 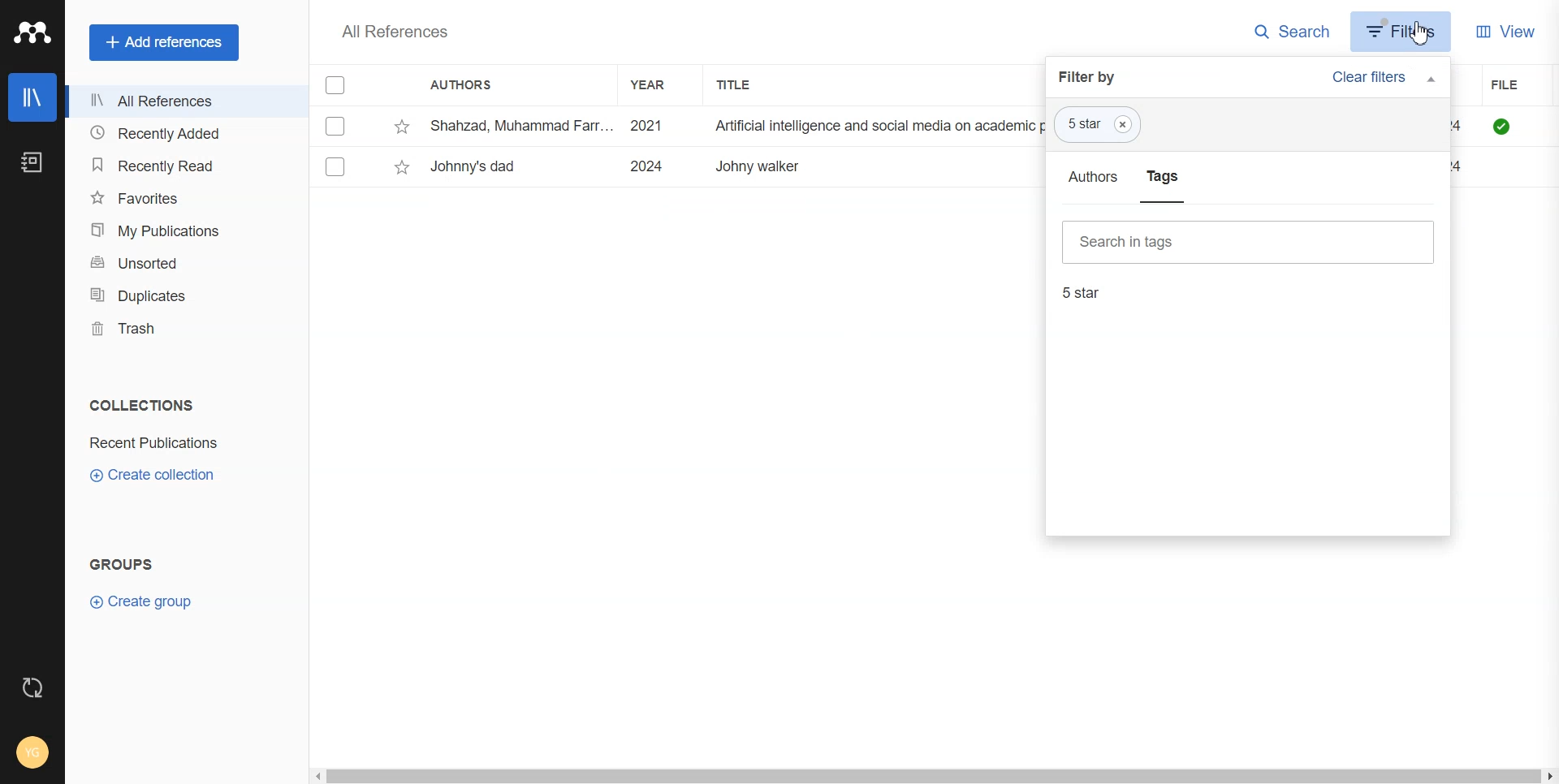 I want to click on Filter by, so click(x=1088, y=77).